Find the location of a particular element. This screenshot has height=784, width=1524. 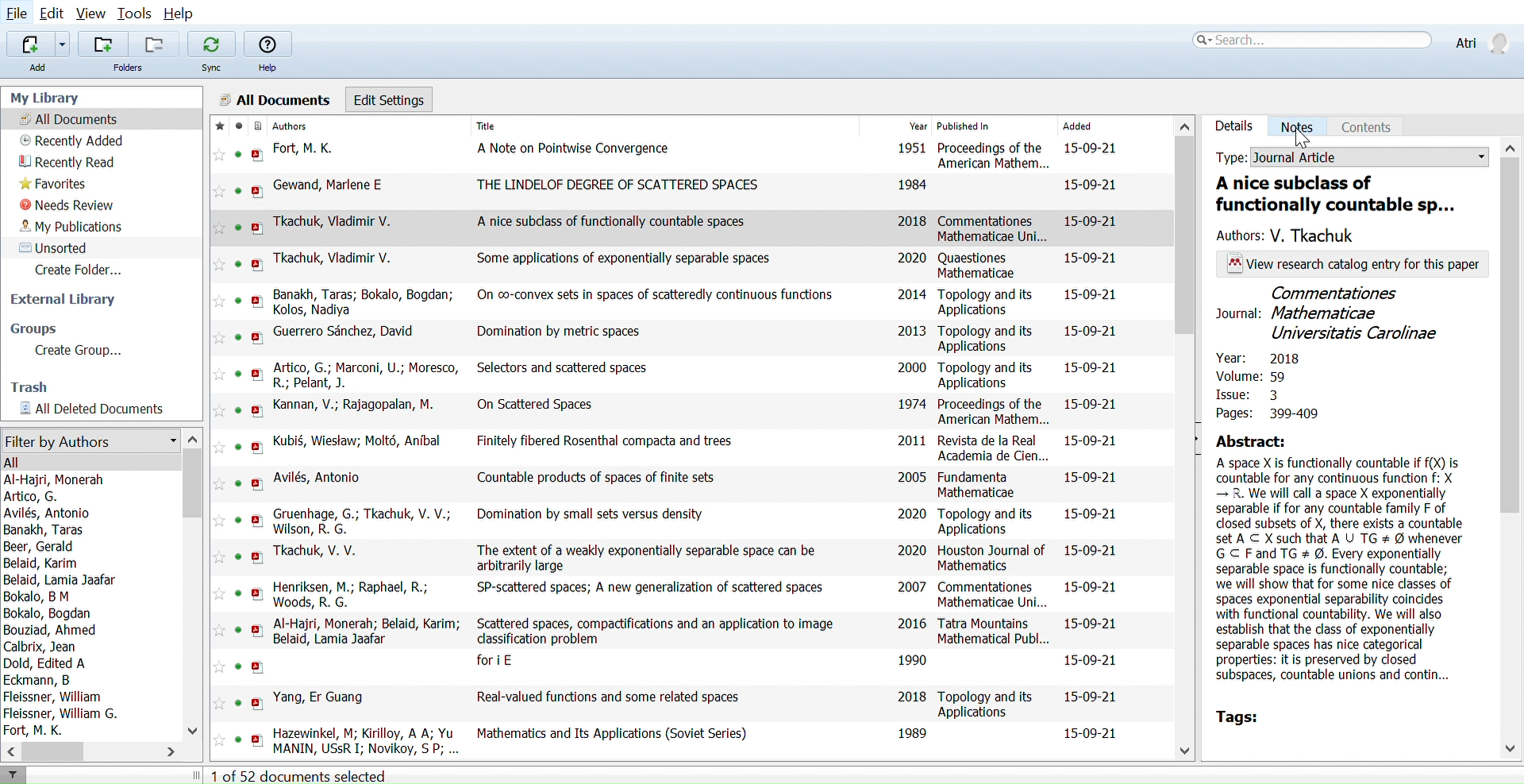

1990 is located at coordinates (910, 659).